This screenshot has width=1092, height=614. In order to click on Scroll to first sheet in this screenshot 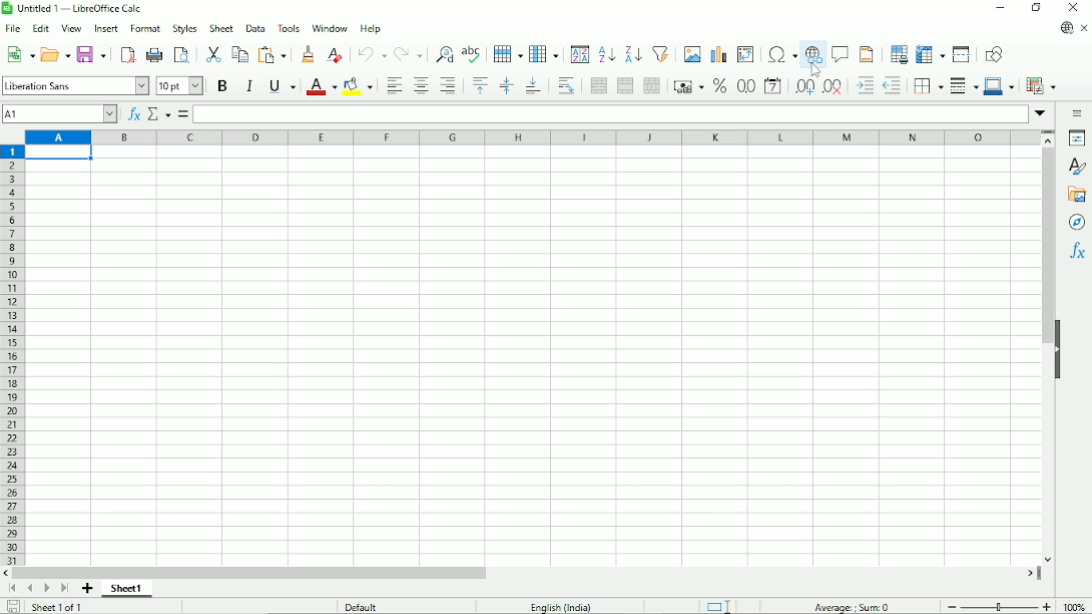, I will do `click(12, 589)`.